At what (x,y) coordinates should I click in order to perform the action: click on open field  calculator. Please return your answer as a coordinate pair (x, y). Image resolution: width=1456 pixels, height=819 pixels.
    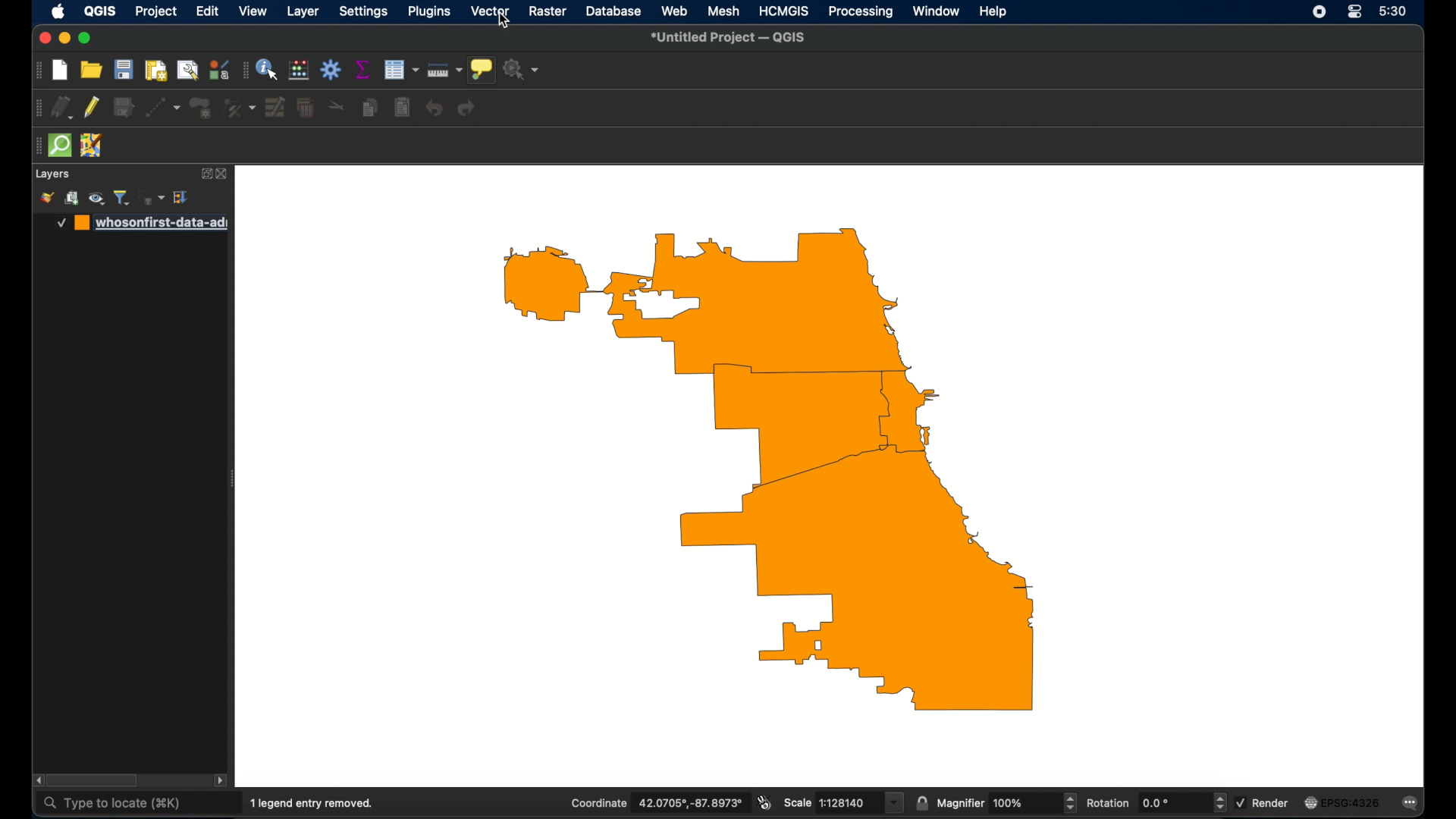
    Looking at the image, I should click on (300, 71).